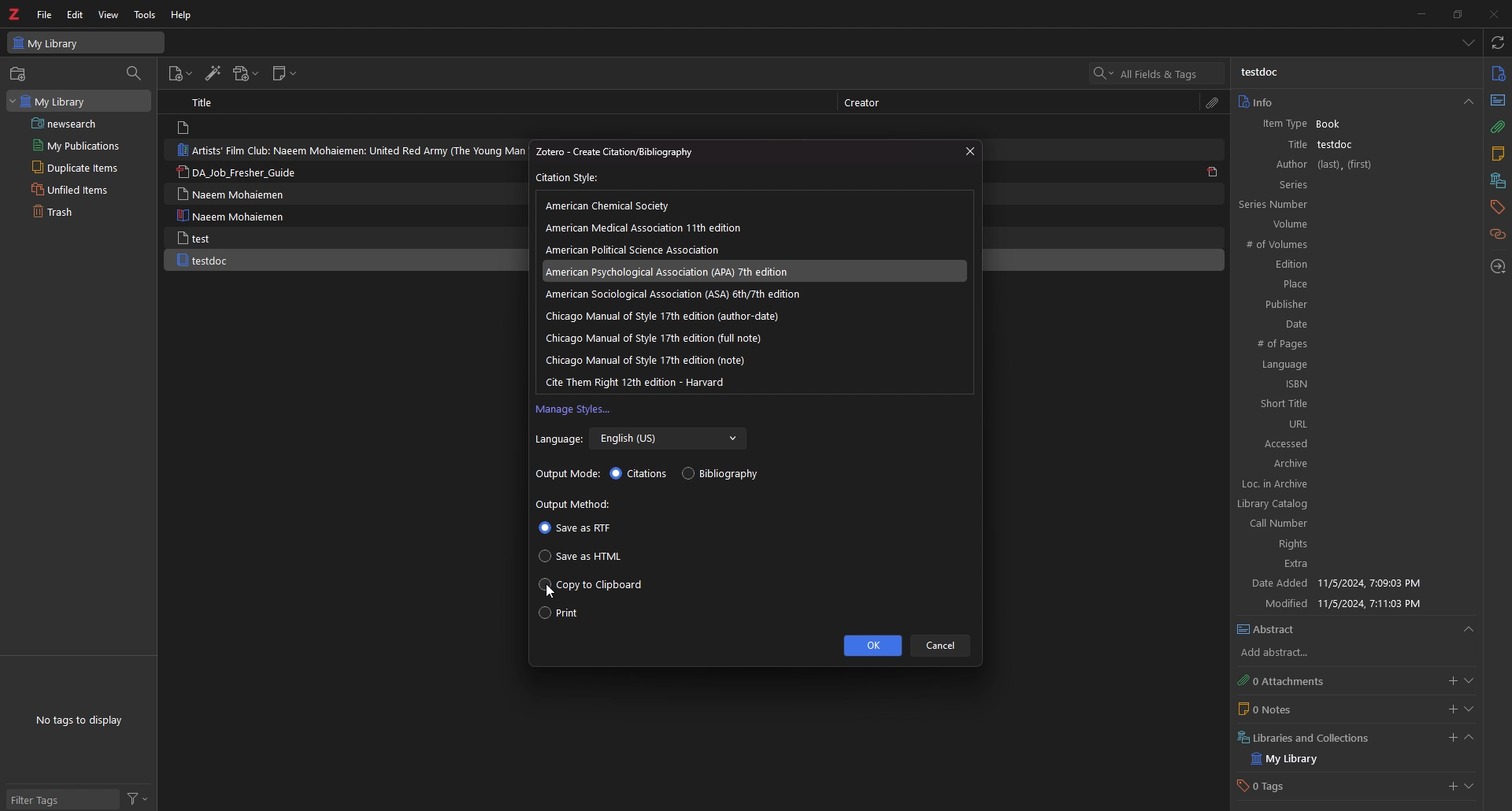 Image resolution: width=1512 pixels, height=811 pixels. Describe the element at coordinates (1452, 709) in the screenshot. I see `add notes` at that location.